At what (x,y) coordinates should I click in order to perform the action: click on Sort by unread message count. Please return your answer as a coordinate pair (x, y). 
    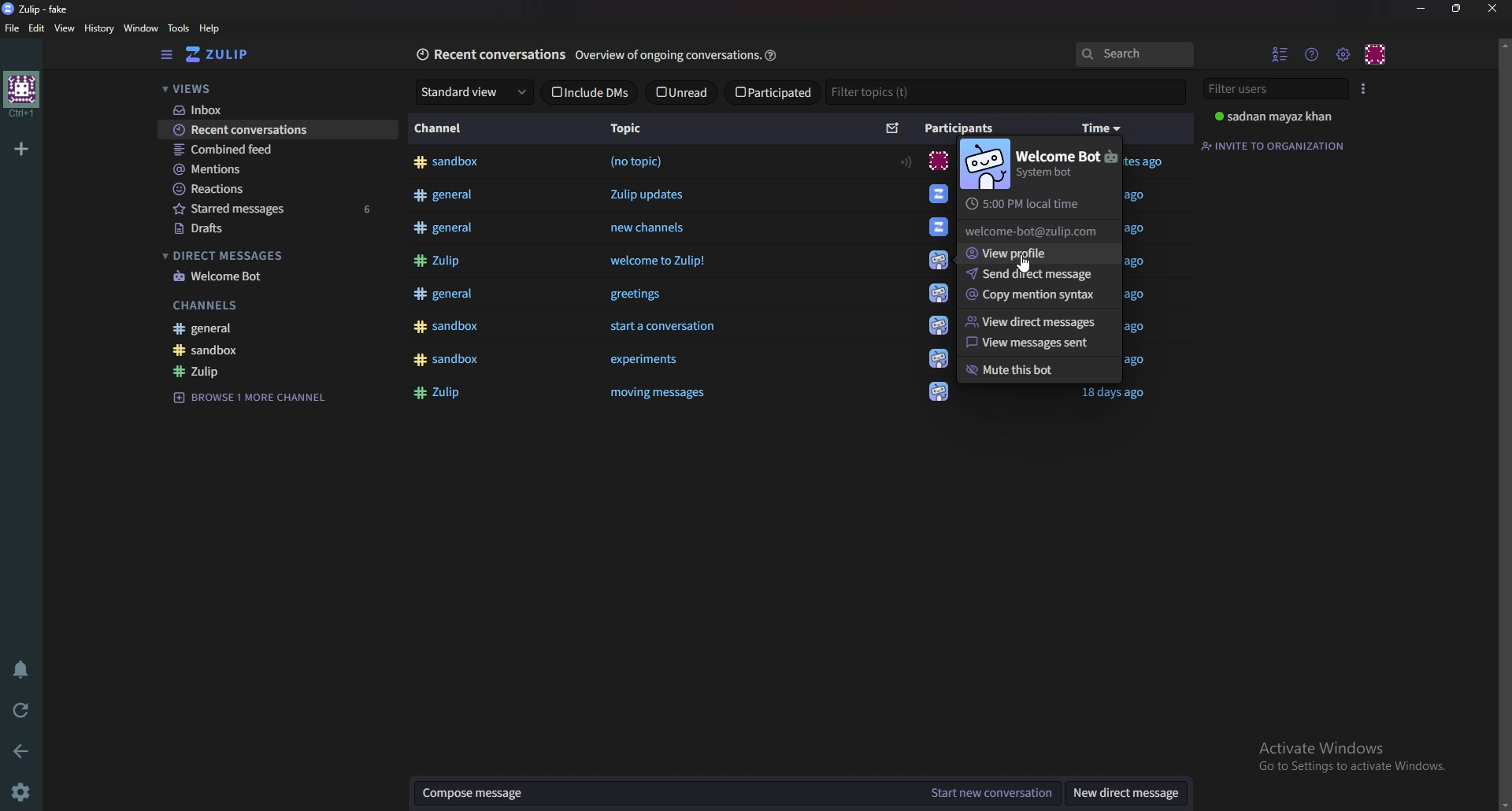
    Looking at the image, I should click on (893, 129).